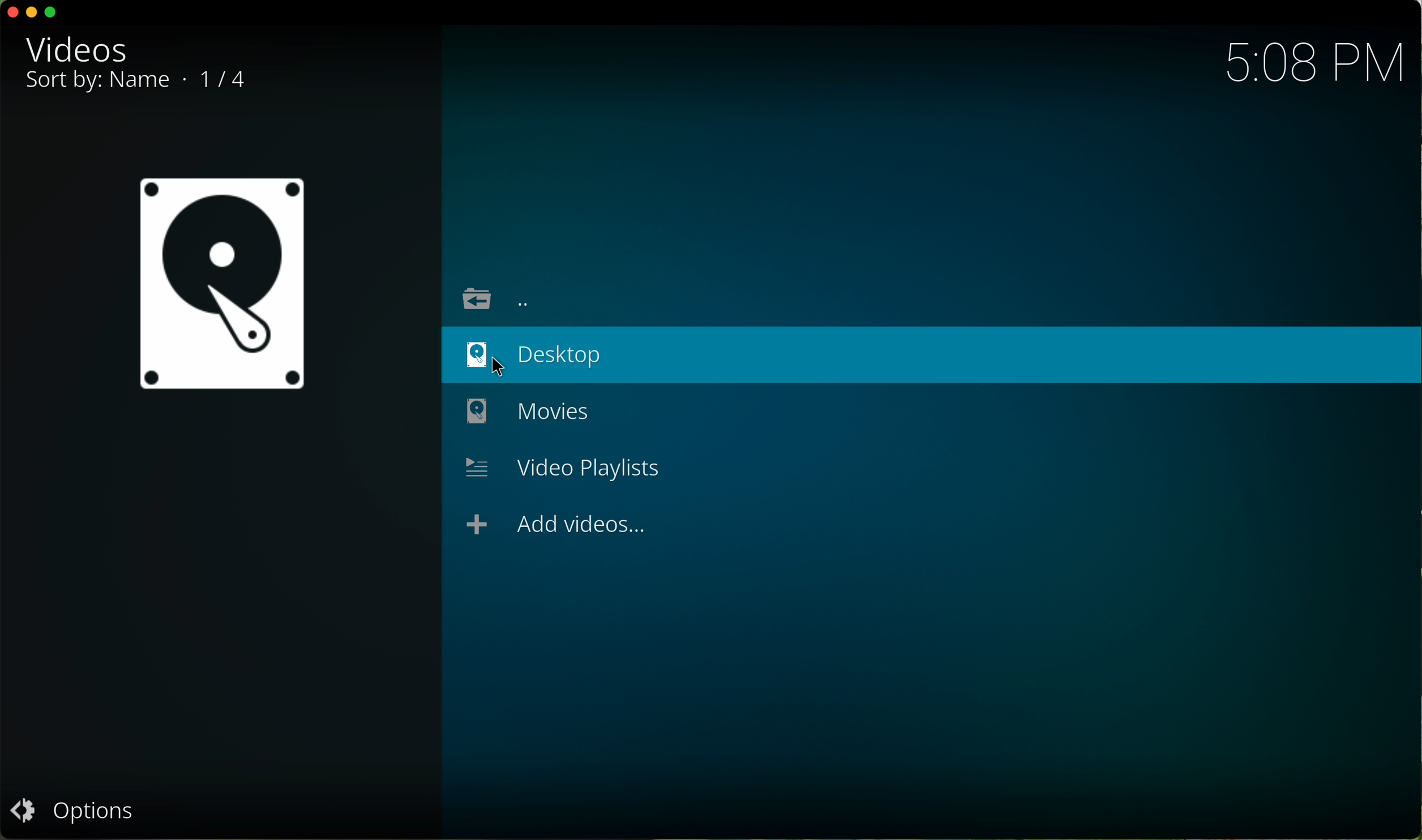  I want to click on movies, so click(527, 409).